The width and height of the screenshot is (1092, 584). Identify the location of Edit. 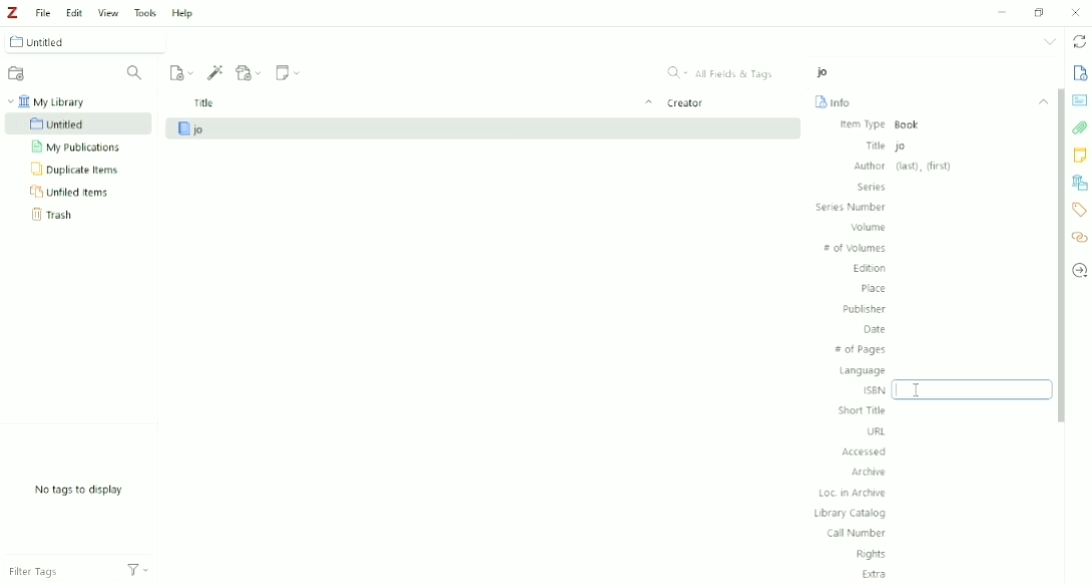
(75, 12).